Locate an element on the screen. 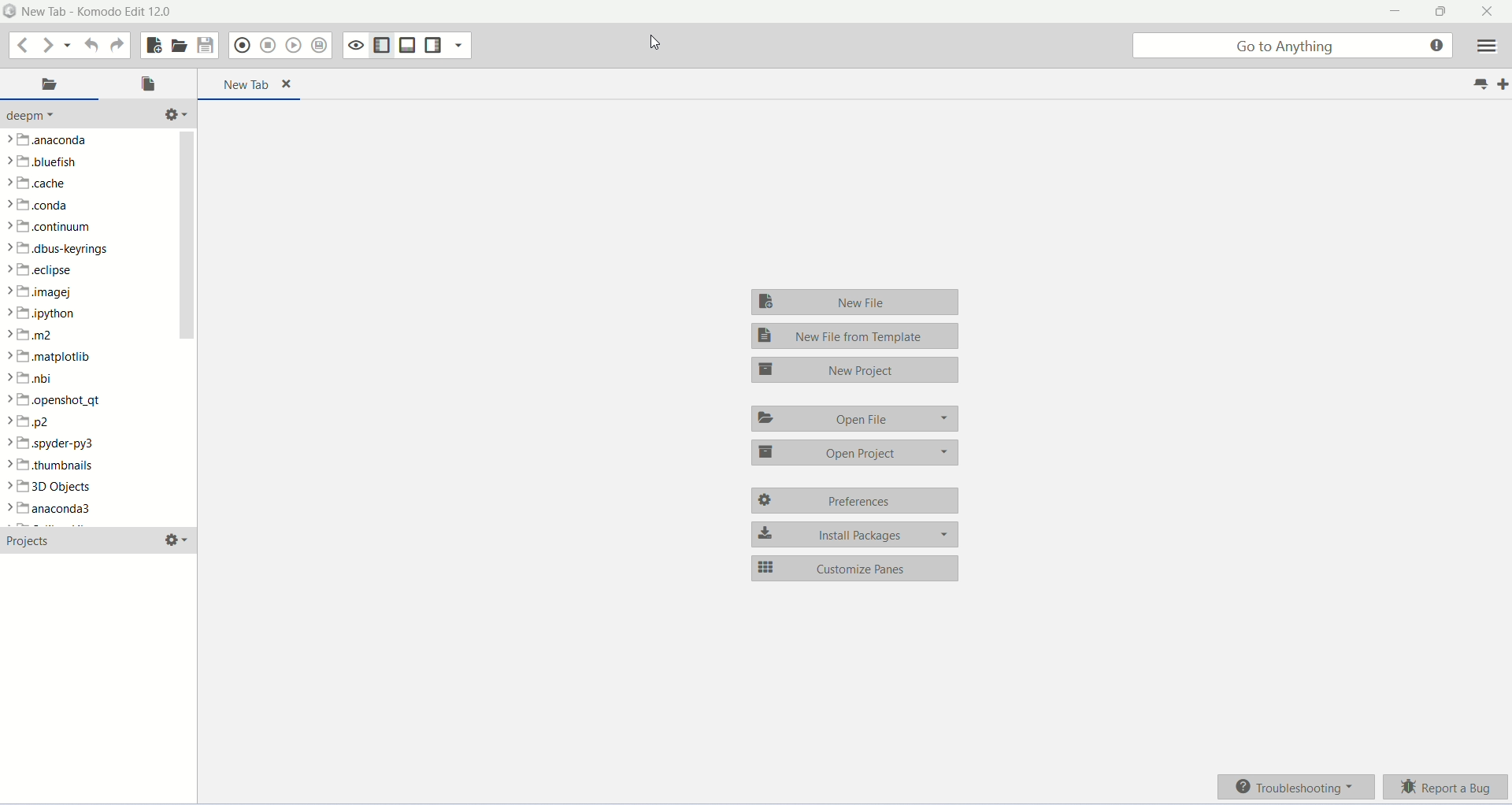  eclipse is located at coordinates (42, 270).